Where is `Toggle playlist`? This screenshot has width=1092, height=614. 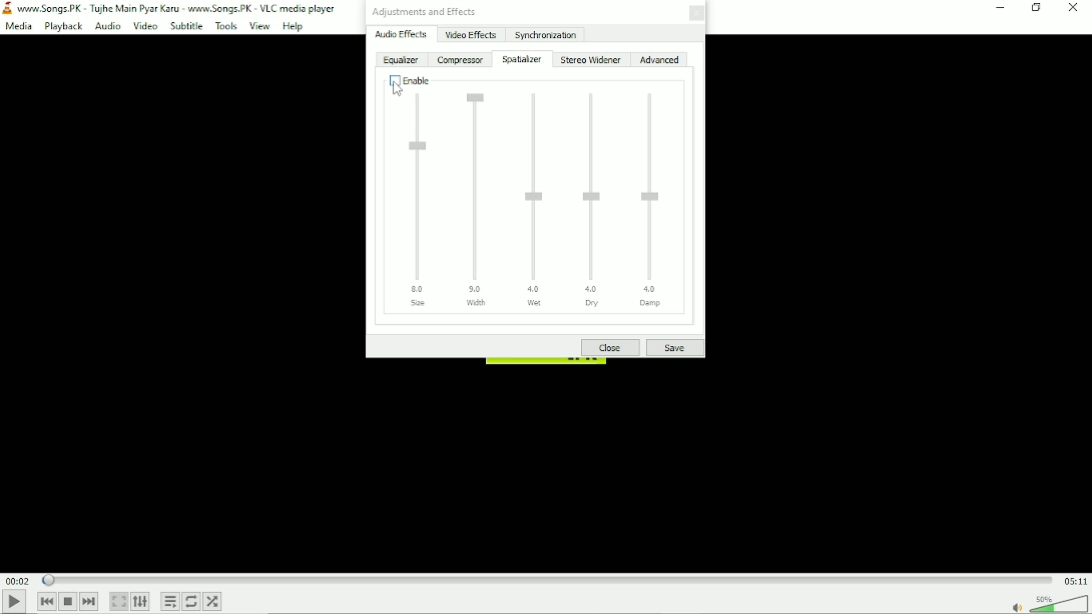 Toggle playlist is located at coordinates (170, 602).